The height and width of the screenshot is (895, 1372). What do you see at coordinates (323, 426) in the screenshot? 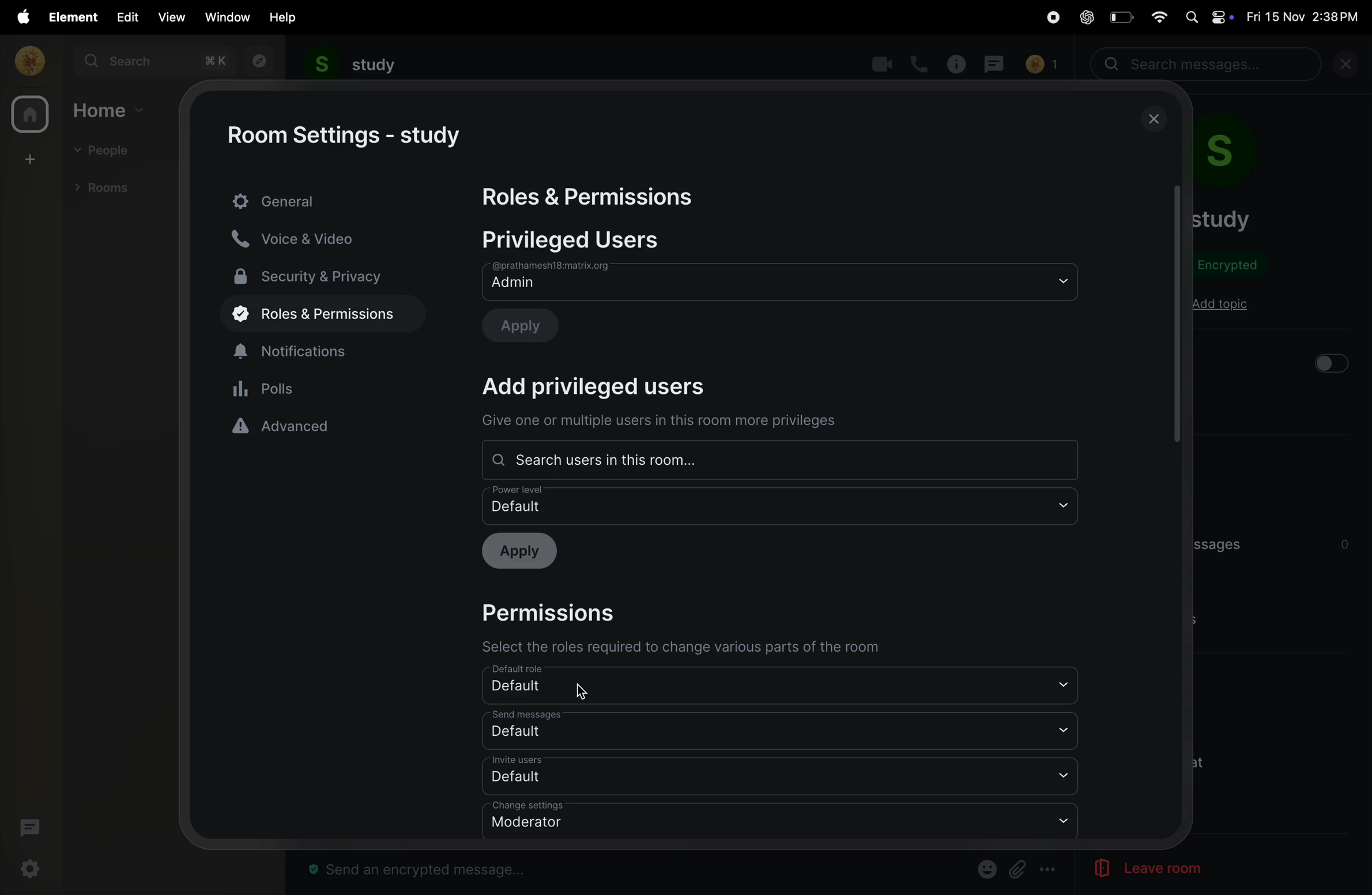
I see `advanced` at bounding box center [323, 426].